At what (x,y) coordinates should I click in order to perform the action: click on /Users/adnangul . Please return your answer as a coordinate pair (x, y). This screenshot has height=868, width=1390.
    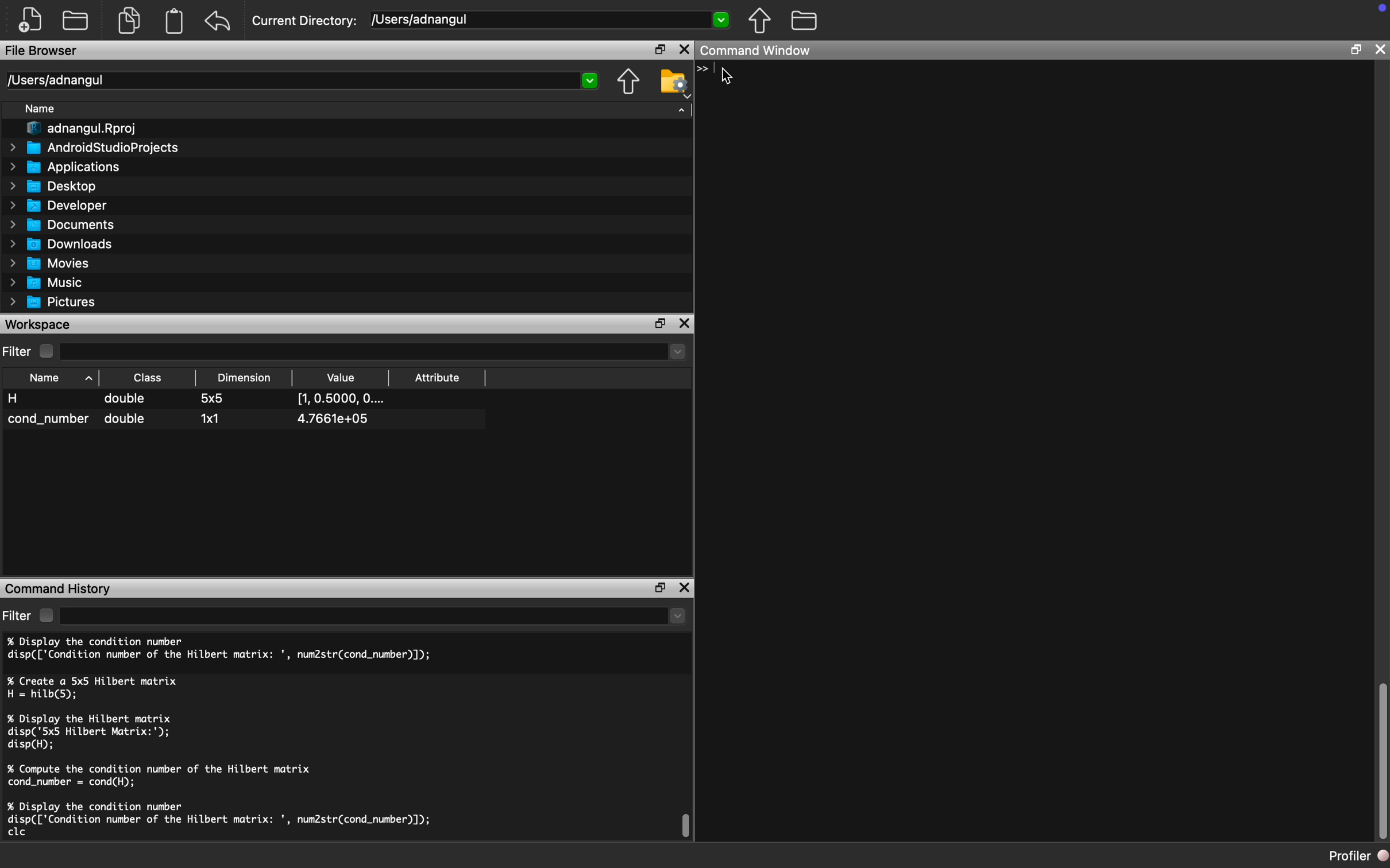
    Looking at the image, I should click on (303, 80).